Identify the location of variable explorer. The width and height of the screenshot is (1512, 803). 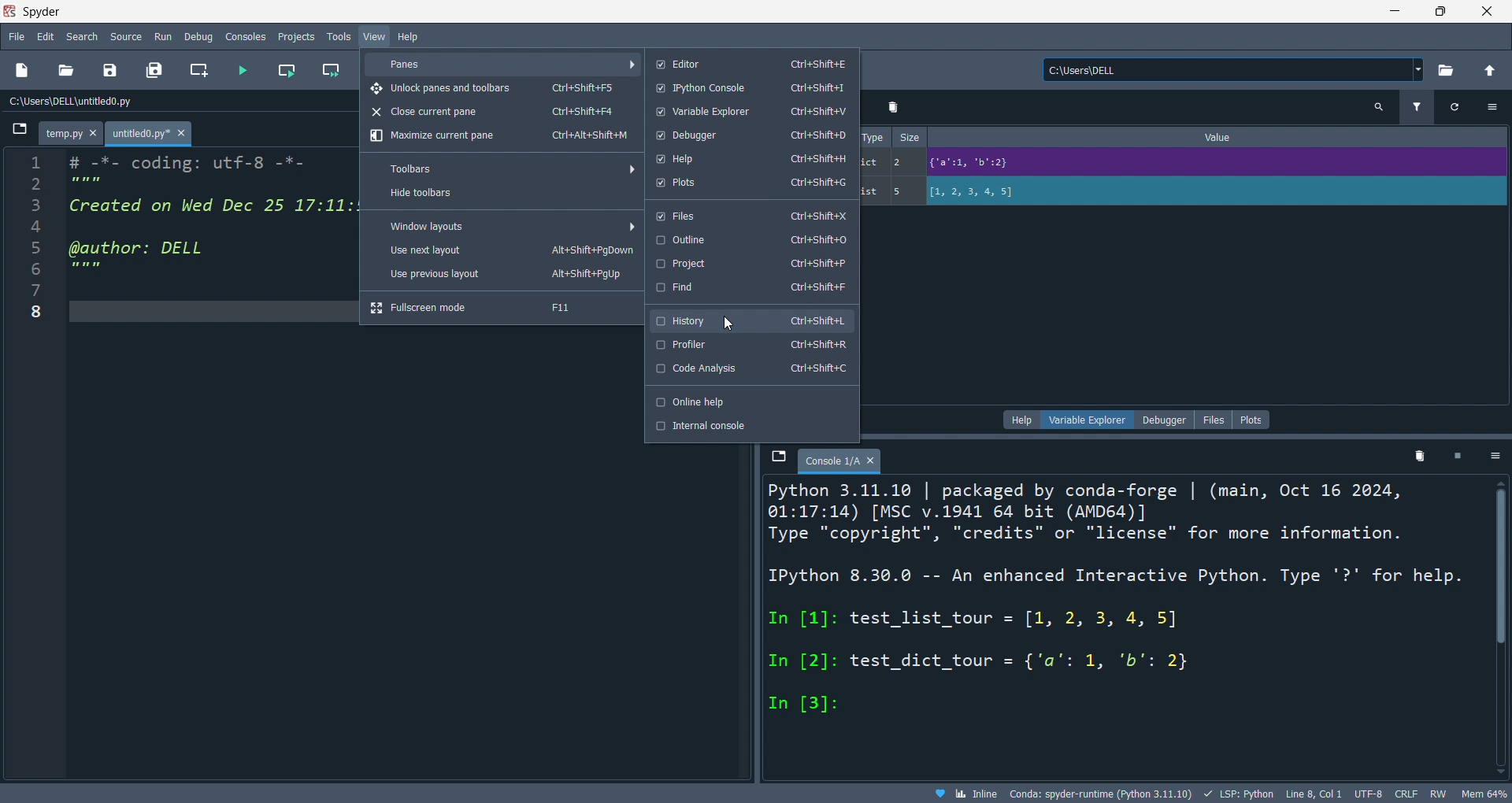
(748, 112).